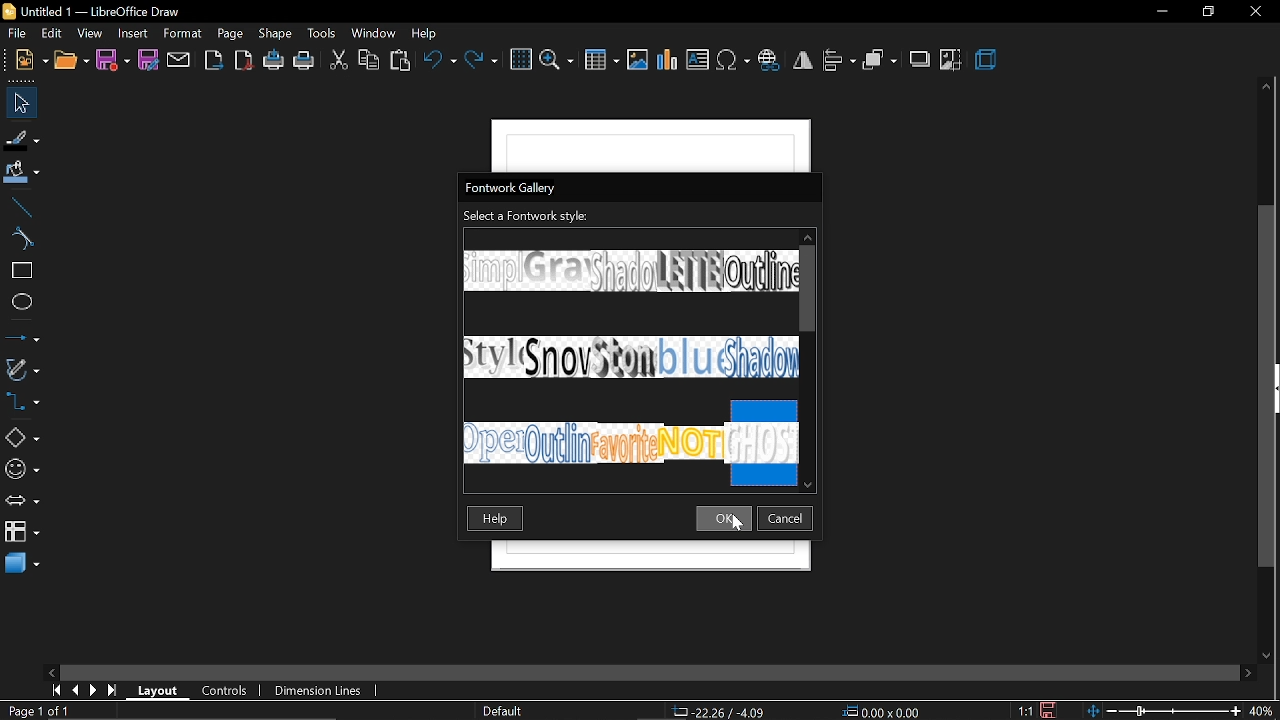 The height and width of the screenshot is (720, 1280). What do you see at coordinates (375, 33) in the screenshot?
I see `window` at bounding box center [375, 33].